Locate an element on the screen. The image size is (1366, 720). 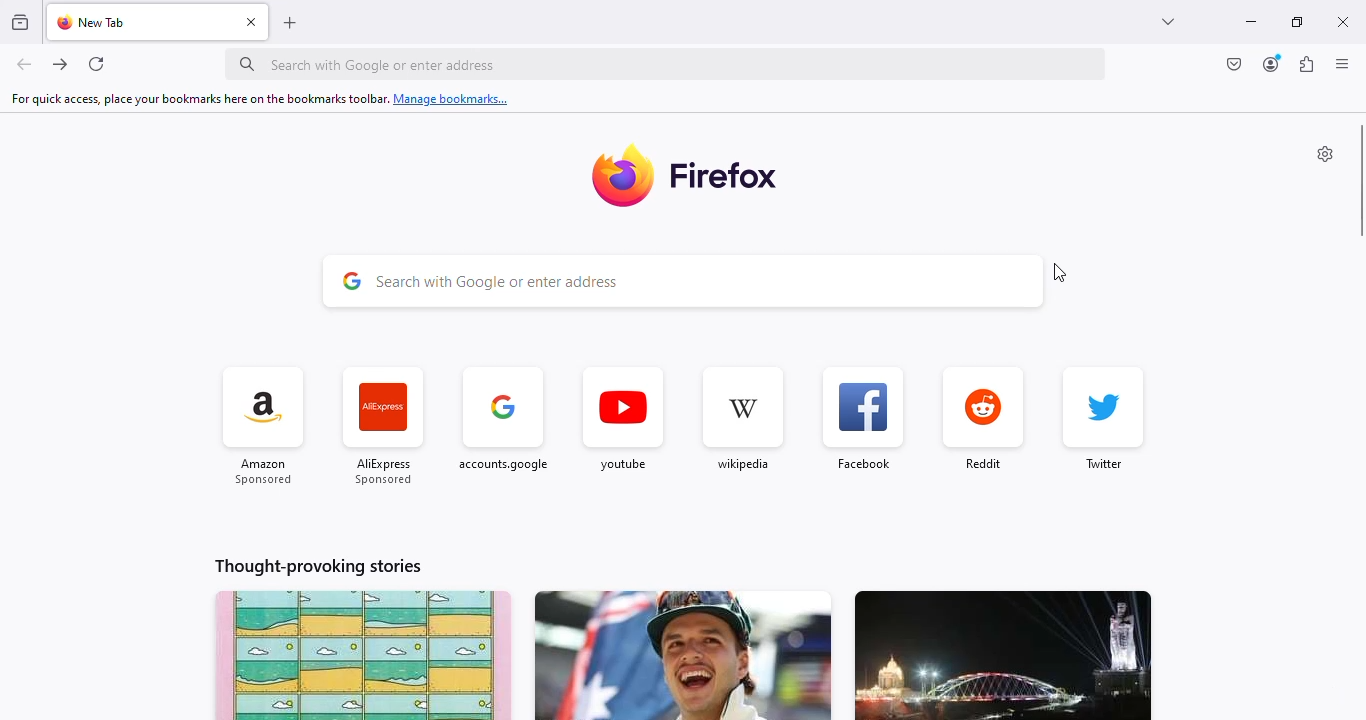
search is located at coordinates (666, 63).